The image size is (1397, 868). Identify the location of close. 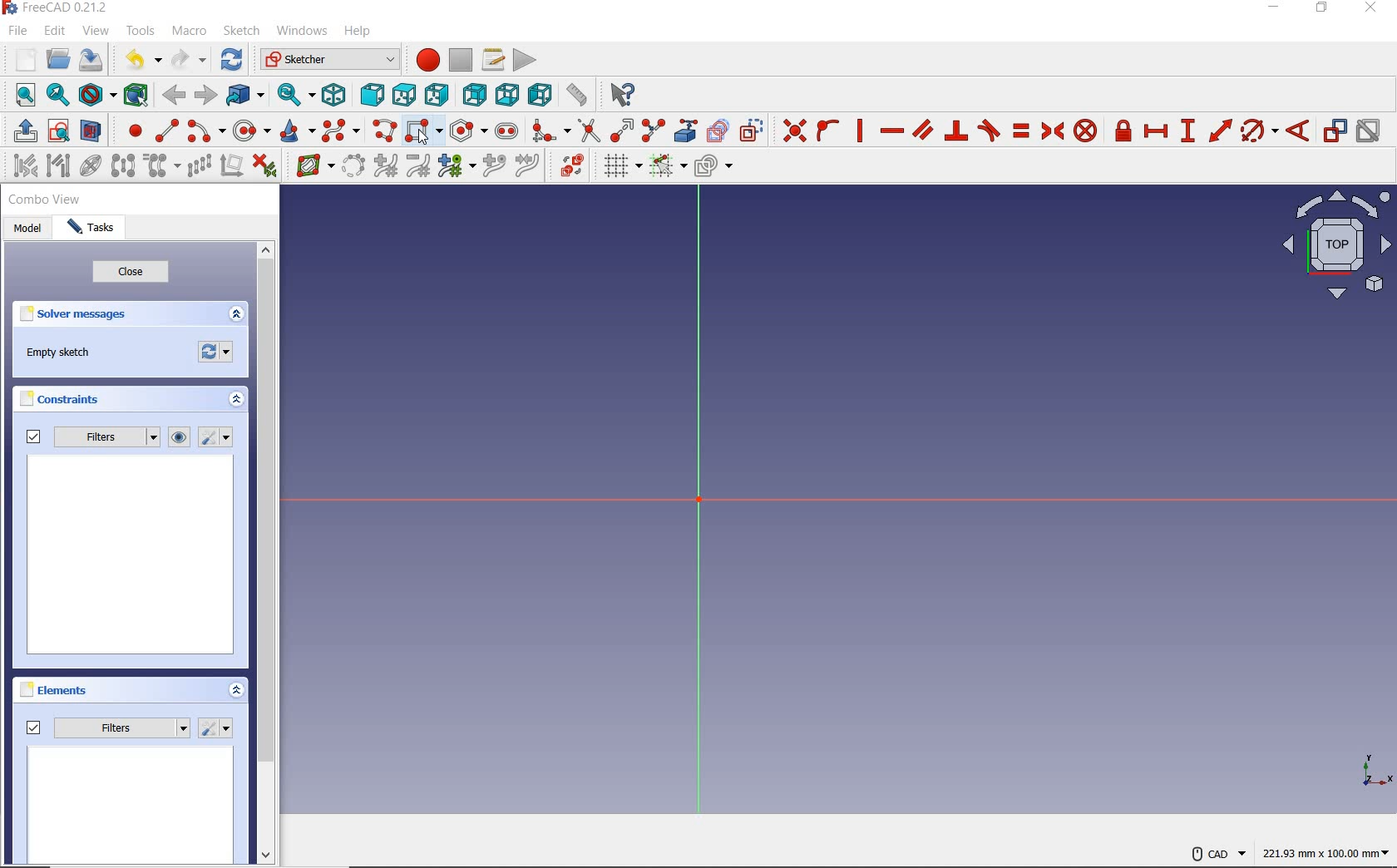
(1375, 9).